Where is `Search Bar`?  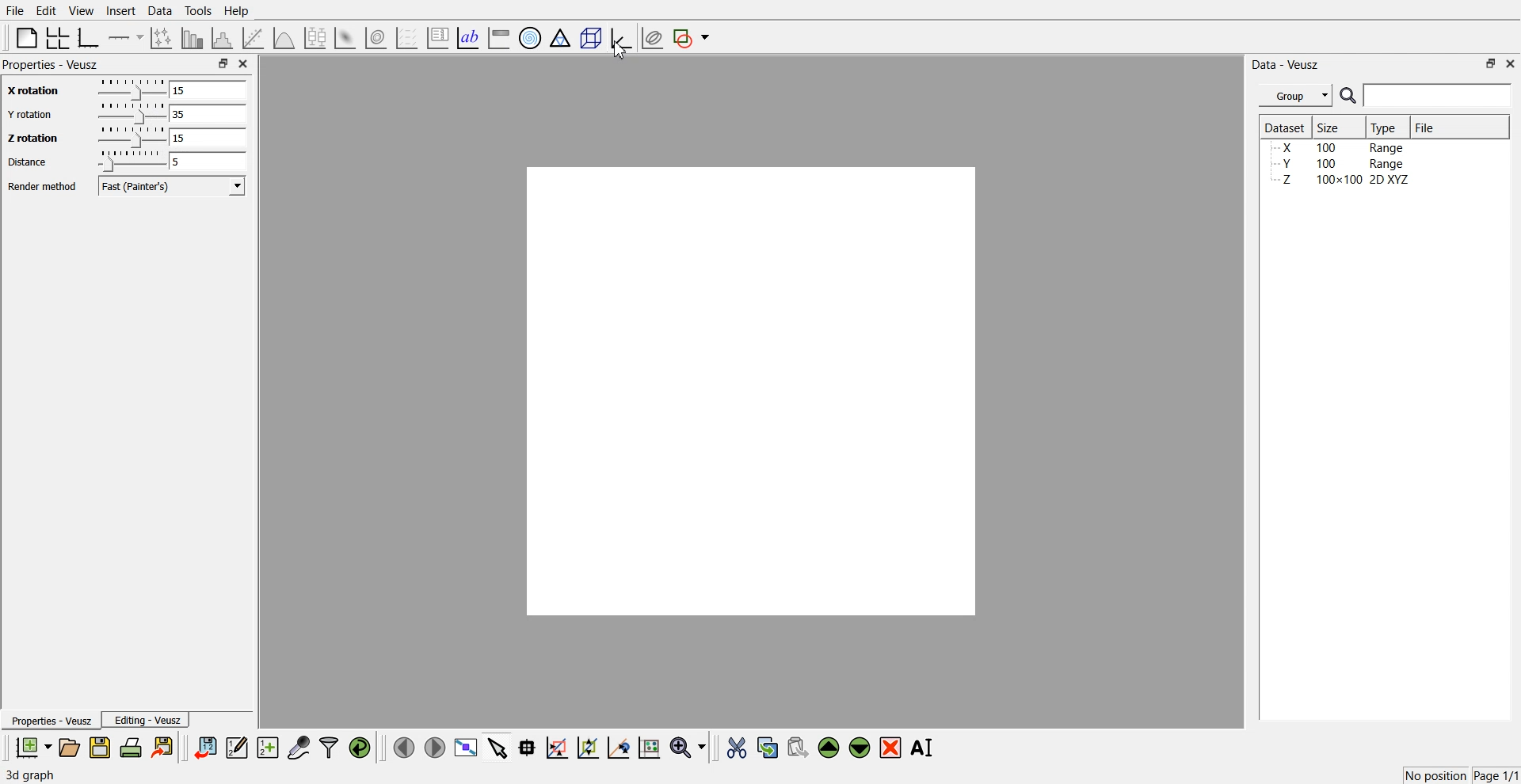
Search Bar is located at coordinates (1427, 95).